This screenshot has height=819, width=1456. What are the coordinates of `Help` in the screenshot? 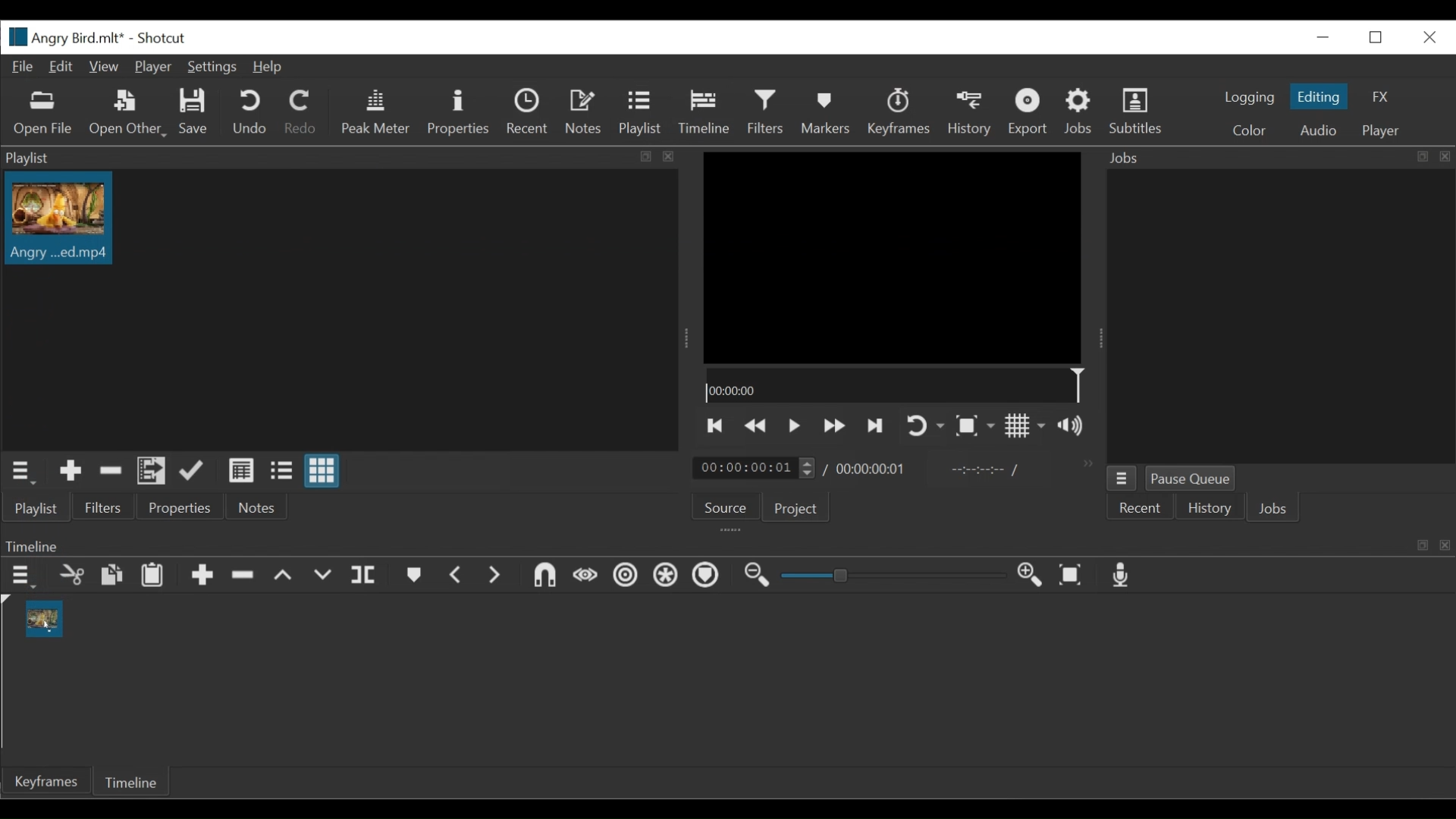 It's located at (269, 67).